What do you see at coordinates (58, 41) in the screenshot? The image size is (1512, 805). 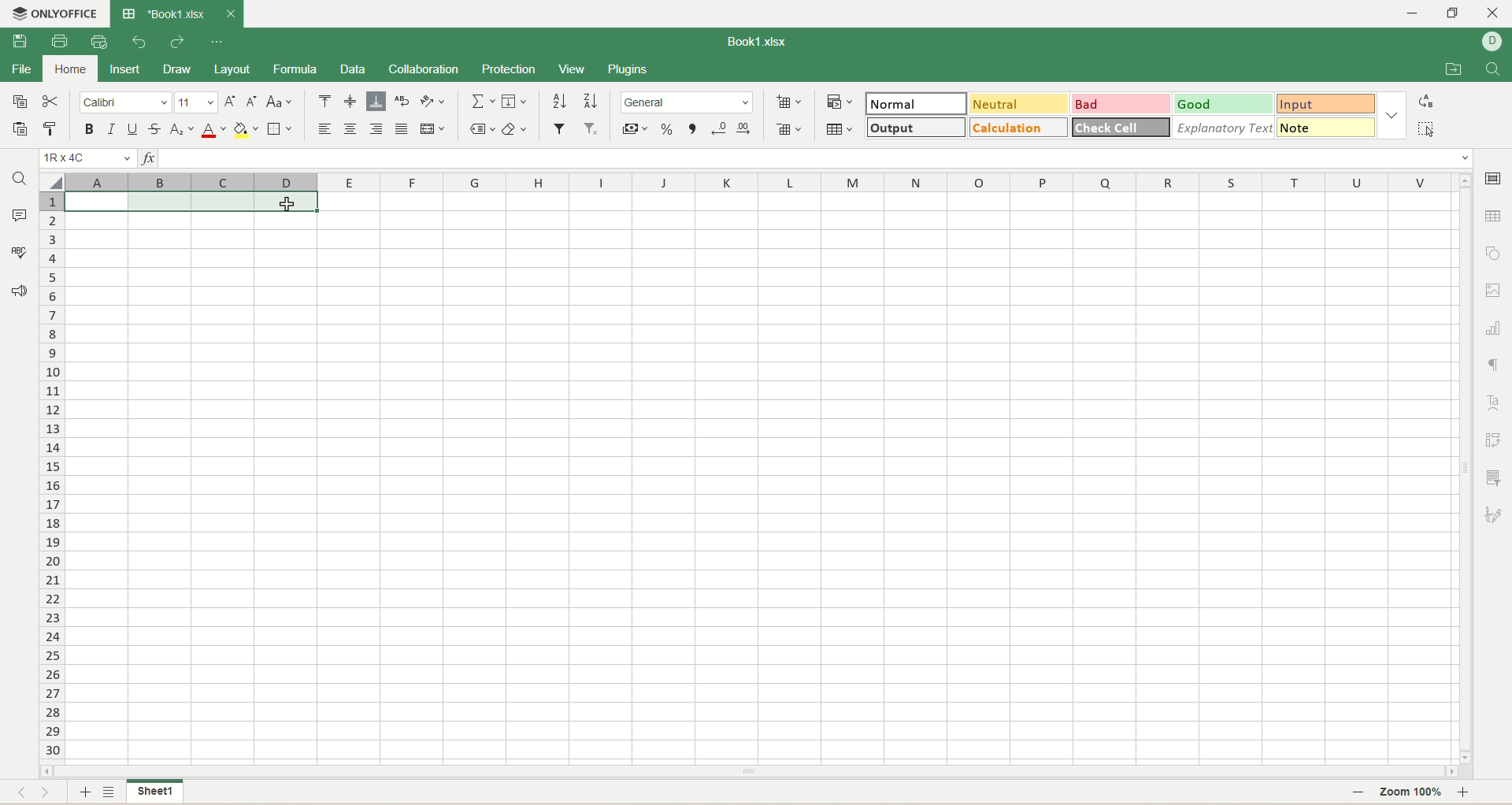 I see `print` at bounding box center [58, 41].